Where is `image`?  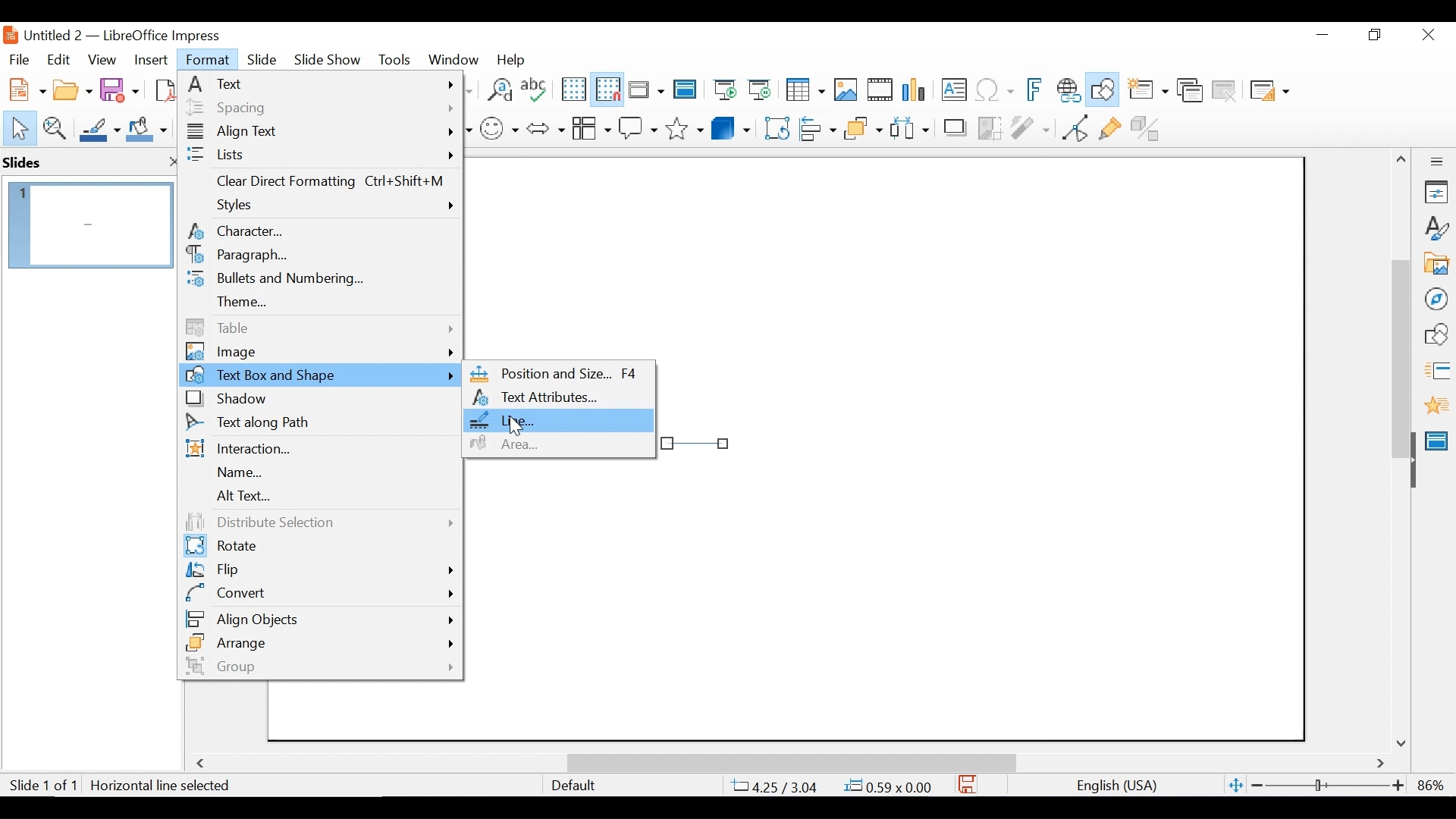
image is located at coordinates (319, 352).